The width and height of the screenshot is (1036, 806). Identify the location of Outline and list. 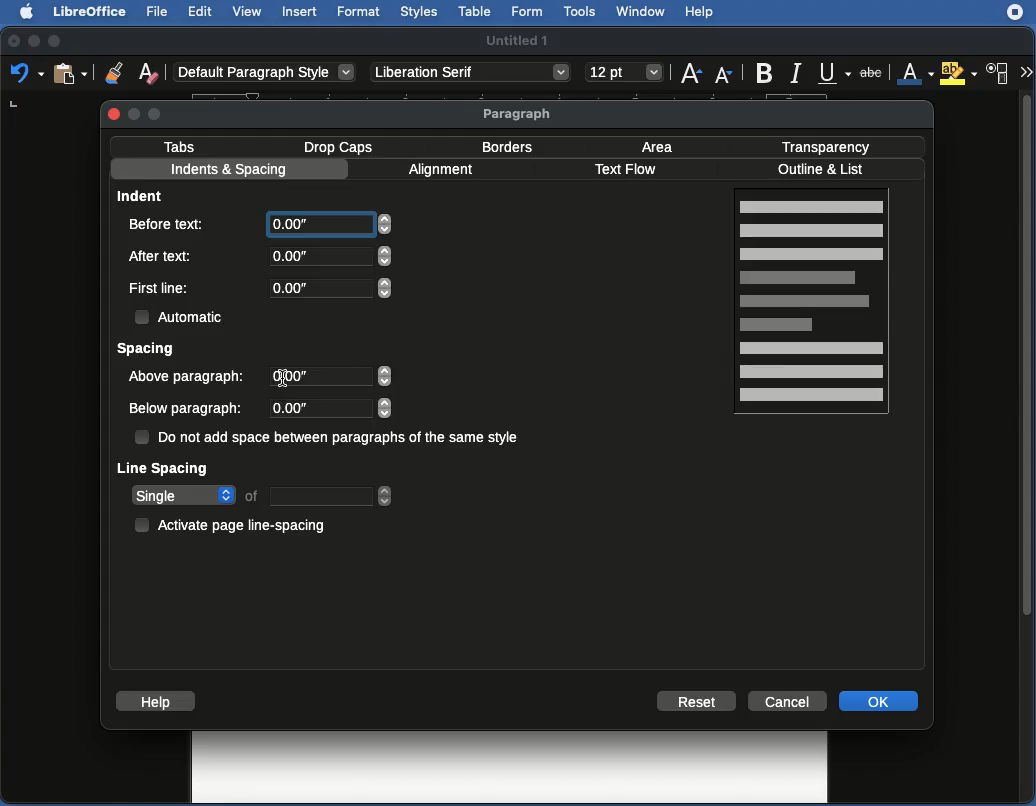
(824, 170).